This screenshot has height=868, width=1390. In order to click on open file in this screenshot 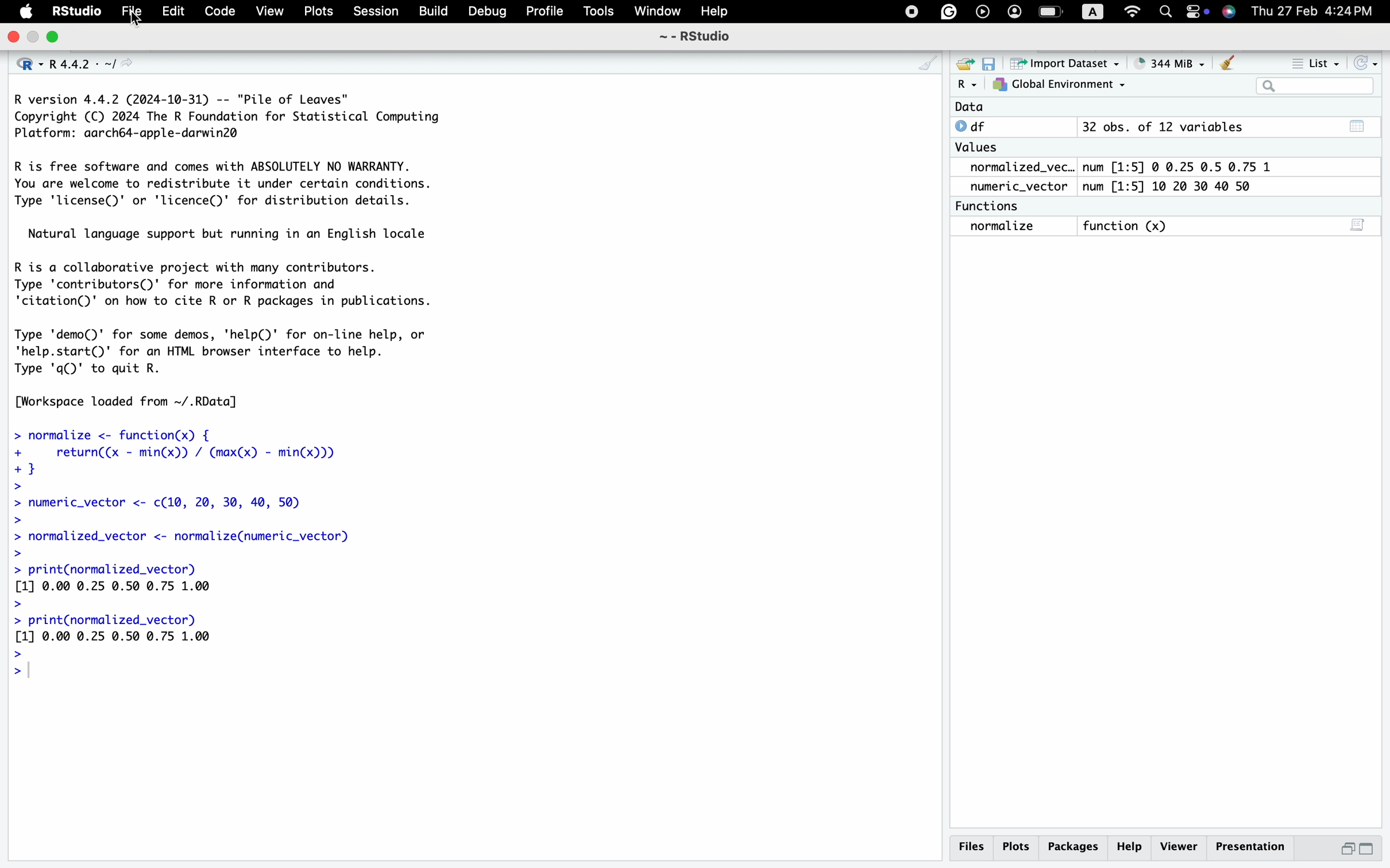, I will do `click(967, 65)`.